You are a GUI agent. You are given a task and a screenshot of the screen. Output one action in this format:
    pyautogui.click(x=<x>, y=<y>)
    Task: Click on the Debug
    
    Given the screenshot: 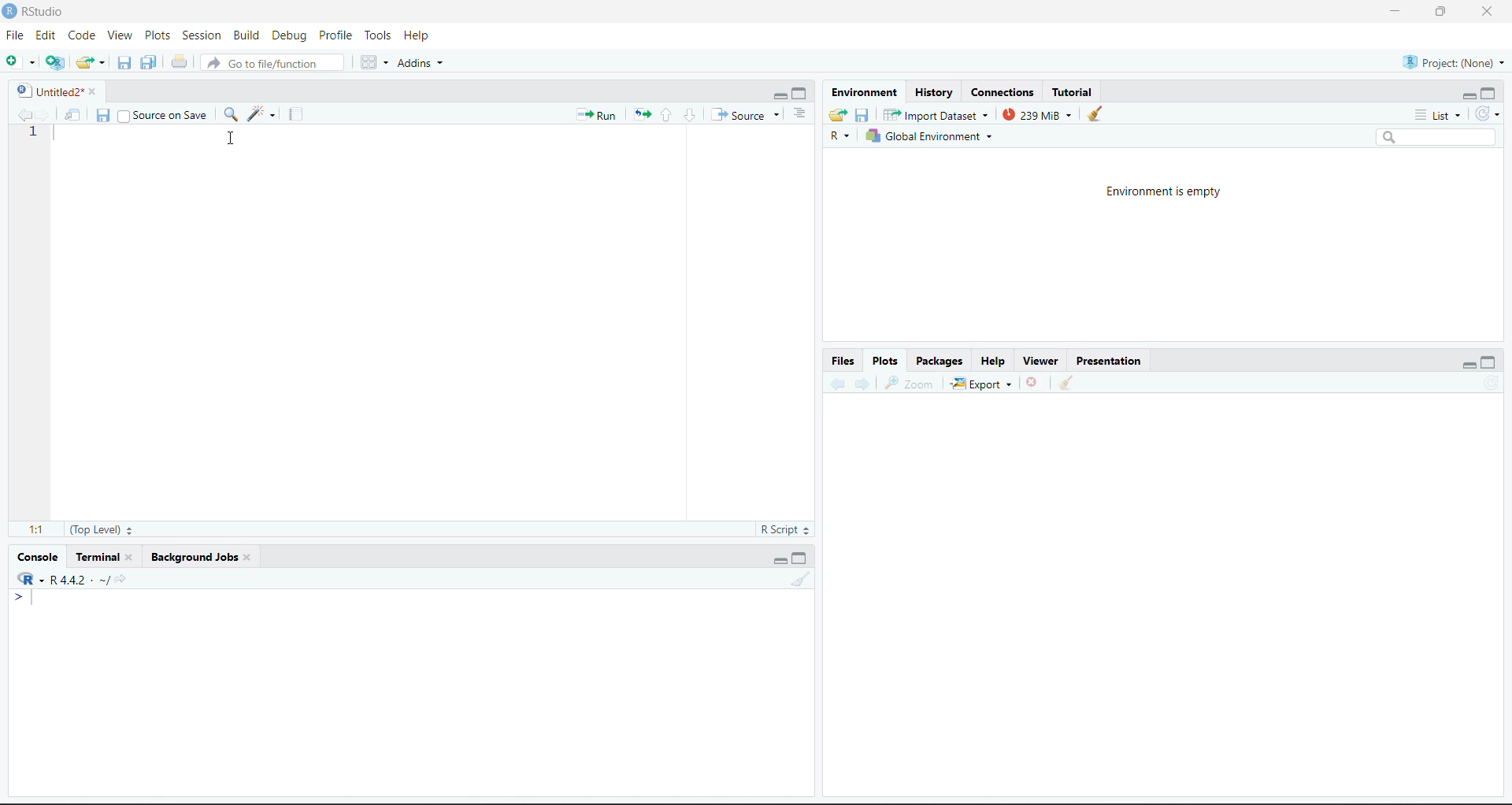 What is the action you would take?
    pyautogui.click(x=291, y=35)
    